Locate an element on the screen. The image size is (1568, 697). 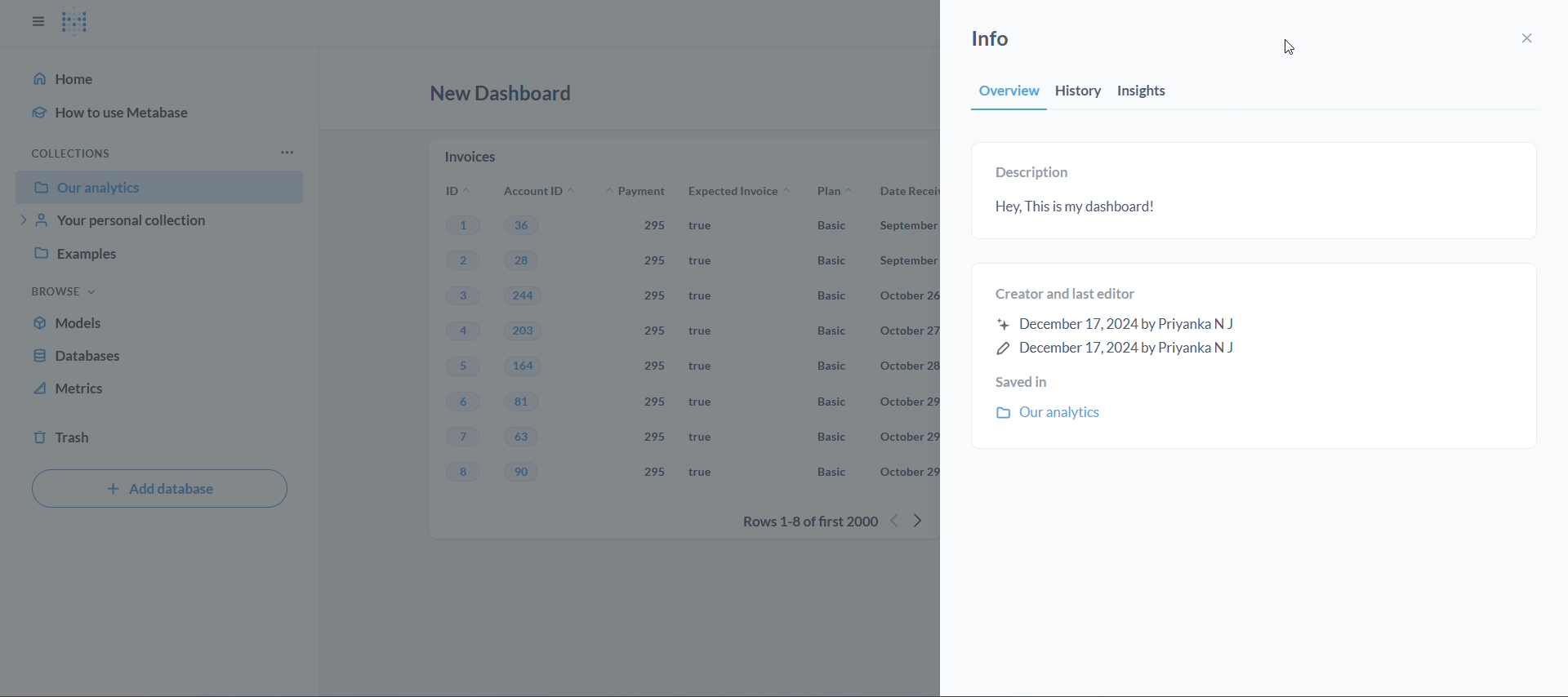
true is located at coordinates (710, 261).